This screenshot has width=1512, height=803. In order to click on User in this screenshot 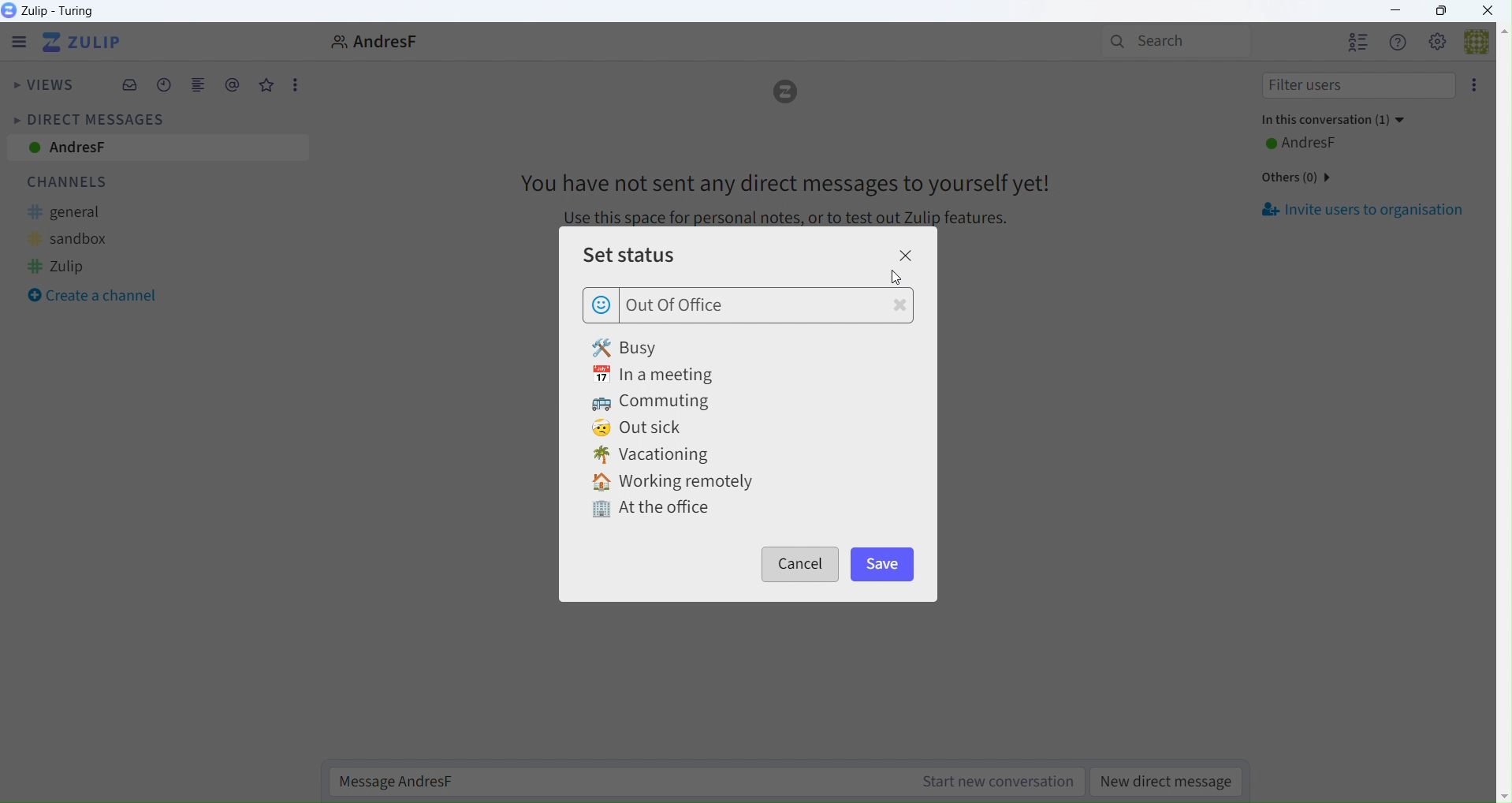, I will do `click(1484, 47)`.